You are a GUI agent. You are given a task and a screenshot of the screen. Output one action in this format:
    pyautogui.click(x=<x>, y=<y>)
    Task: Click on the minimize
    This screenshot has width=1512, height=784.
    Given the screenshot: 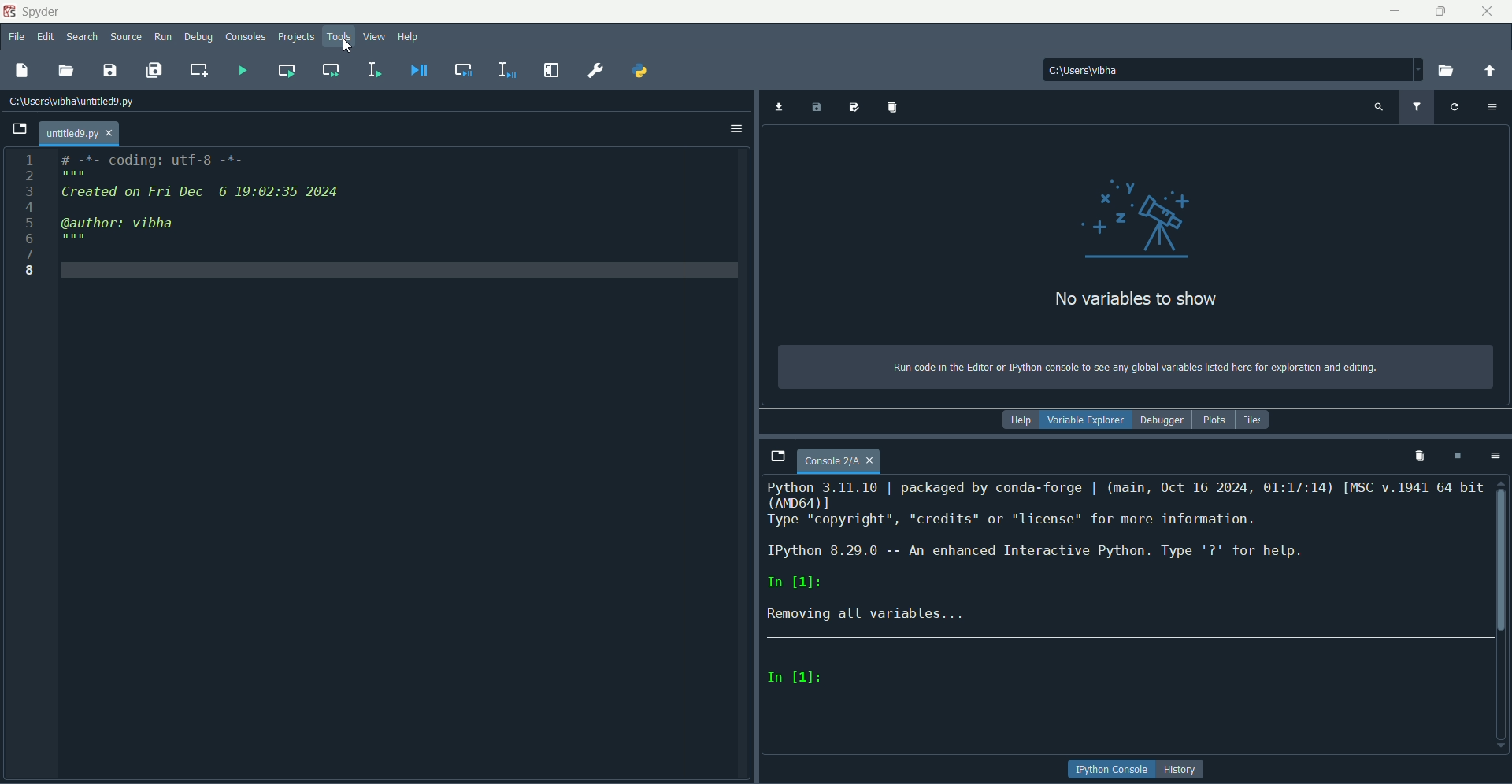 What is the action you would take?
    pyautogui.click(x=1395, y=11)
    